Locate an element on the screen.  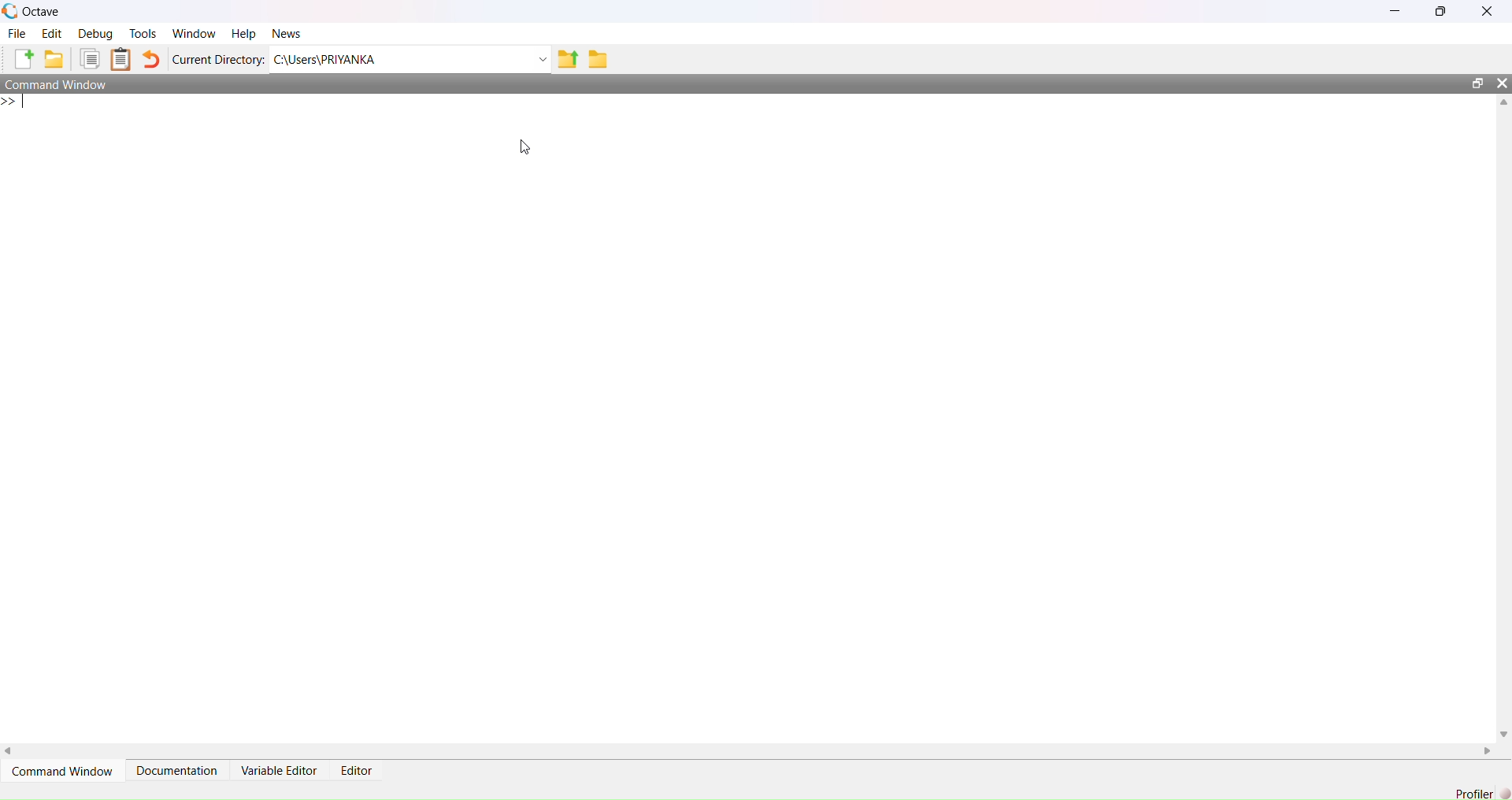
Browse directories is located at coordinates (598, 57).